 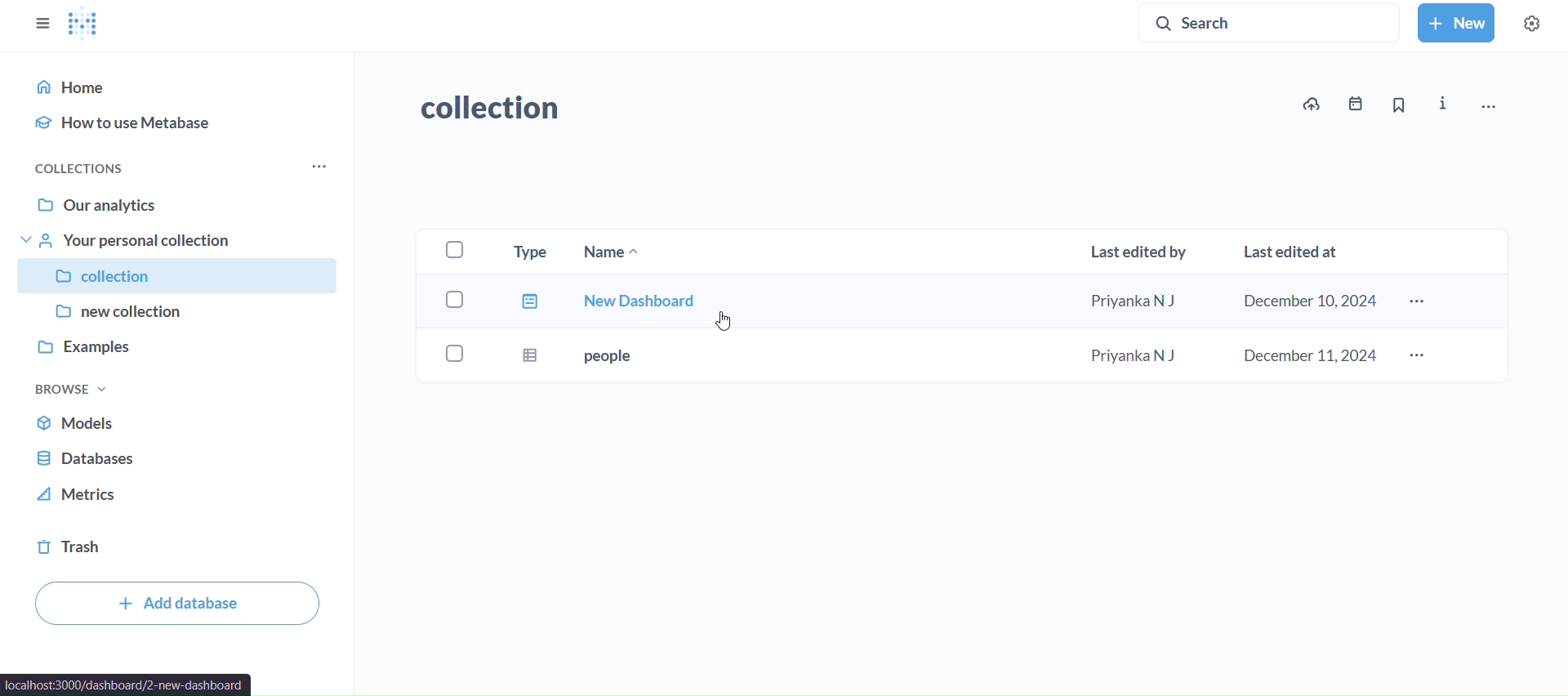 I want to click on how to use metabse, so click(x=181, y=123).